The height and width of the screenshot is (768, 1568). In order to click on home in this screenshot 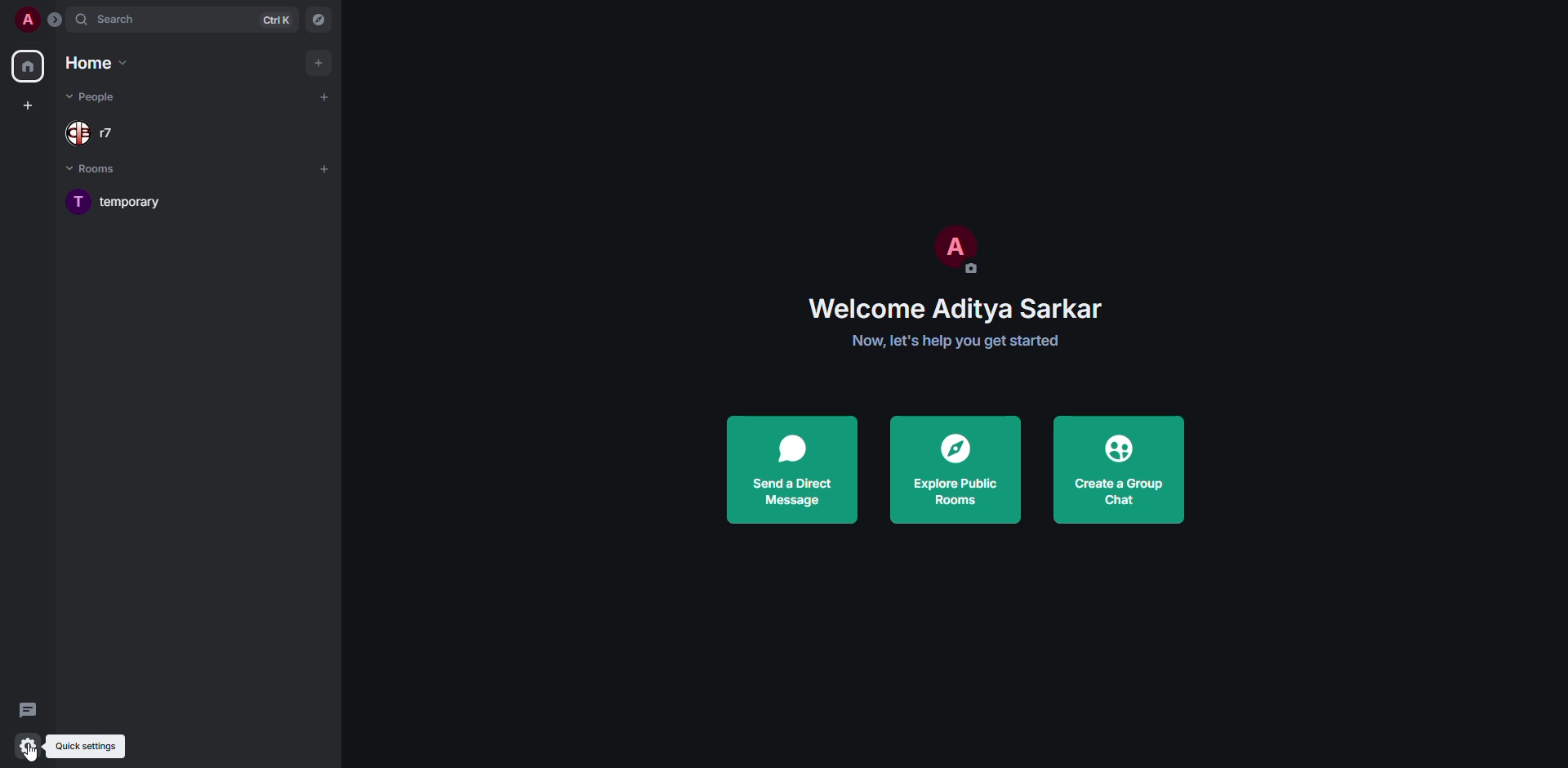, I will do `click(101, 63)`.